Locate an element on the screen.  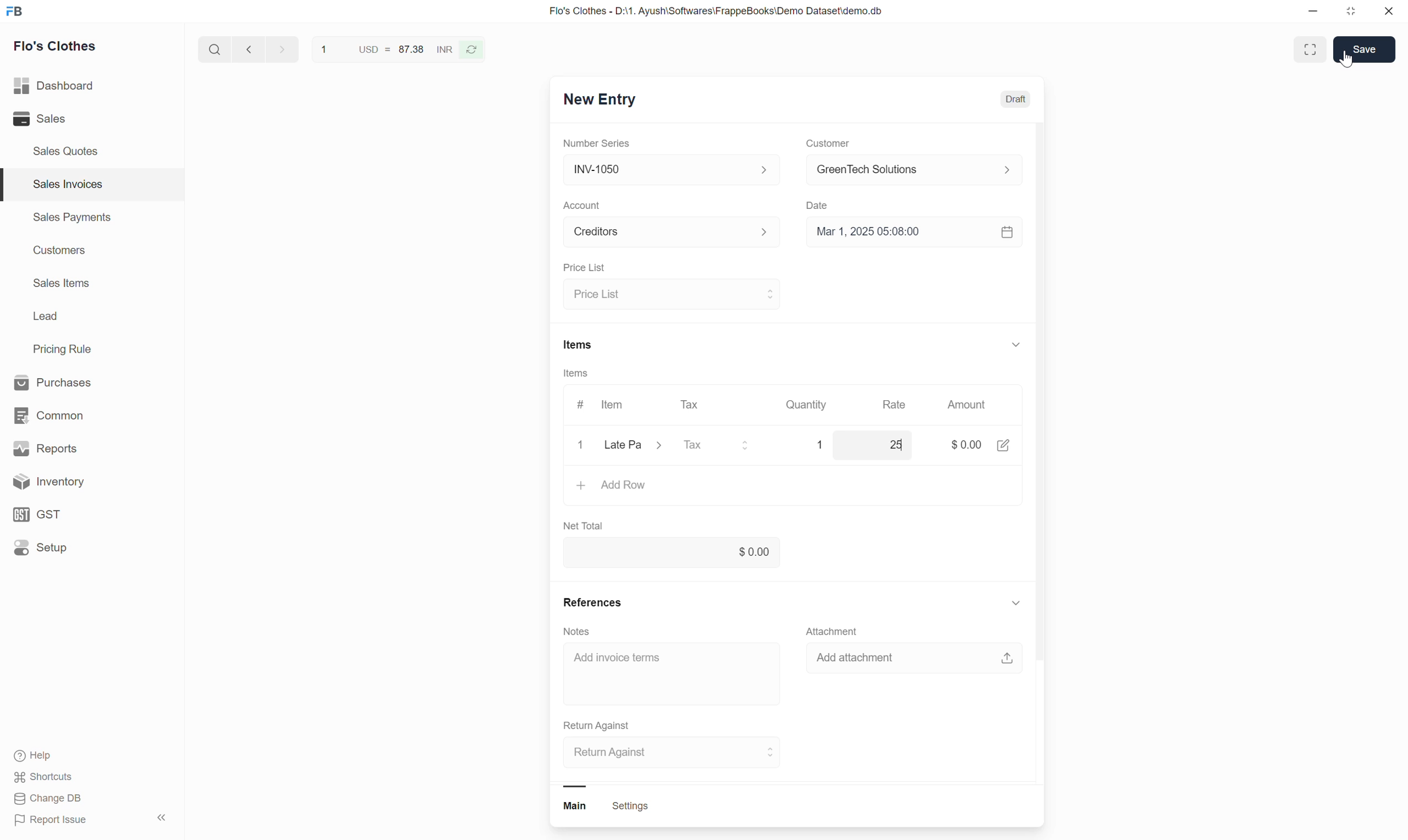
Flo's Clothes is located at coordinates (61, 48).